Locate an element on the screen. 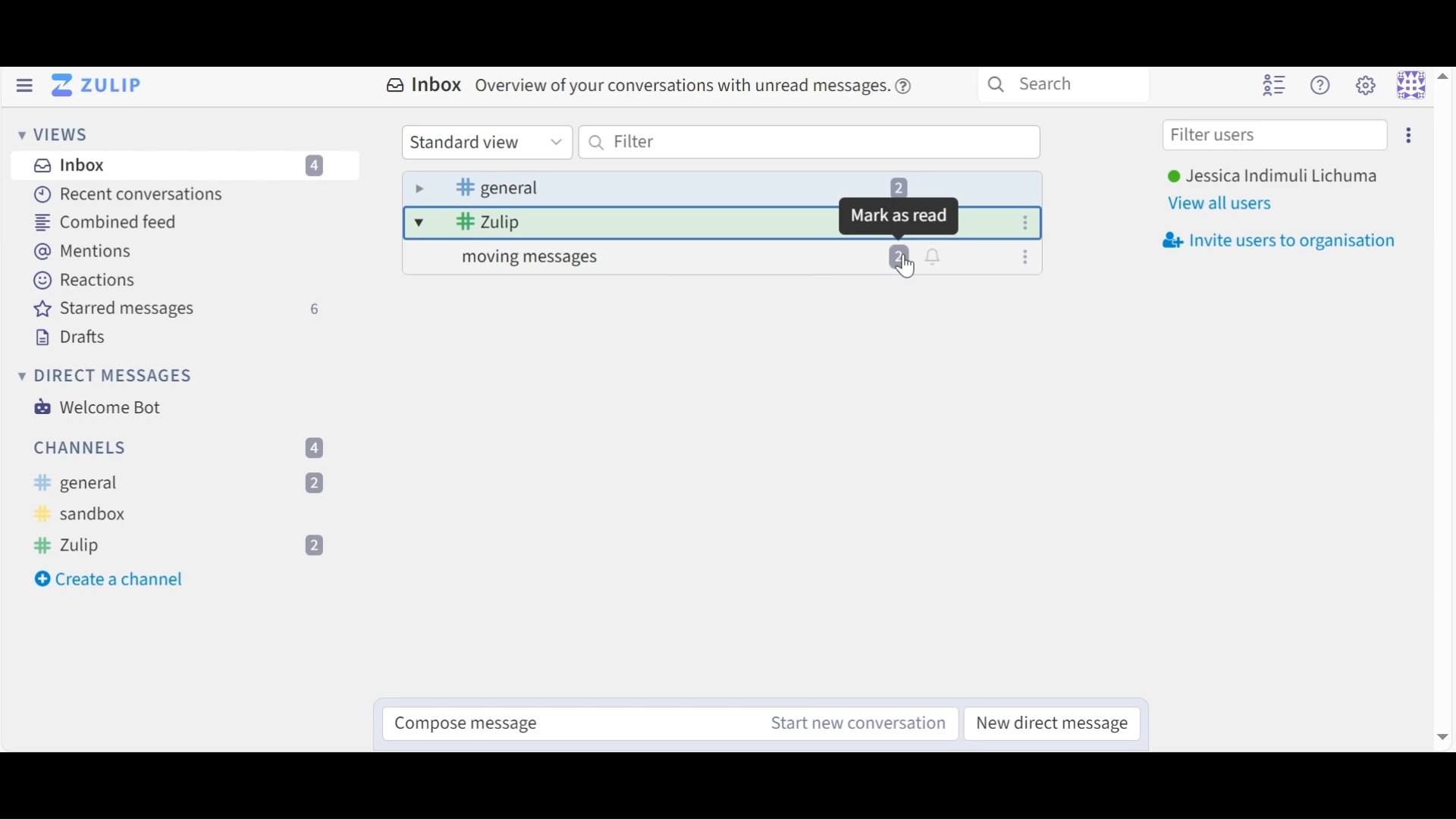 This screenshot has width=1456, height=819. message is located at coordinates (727, 258).